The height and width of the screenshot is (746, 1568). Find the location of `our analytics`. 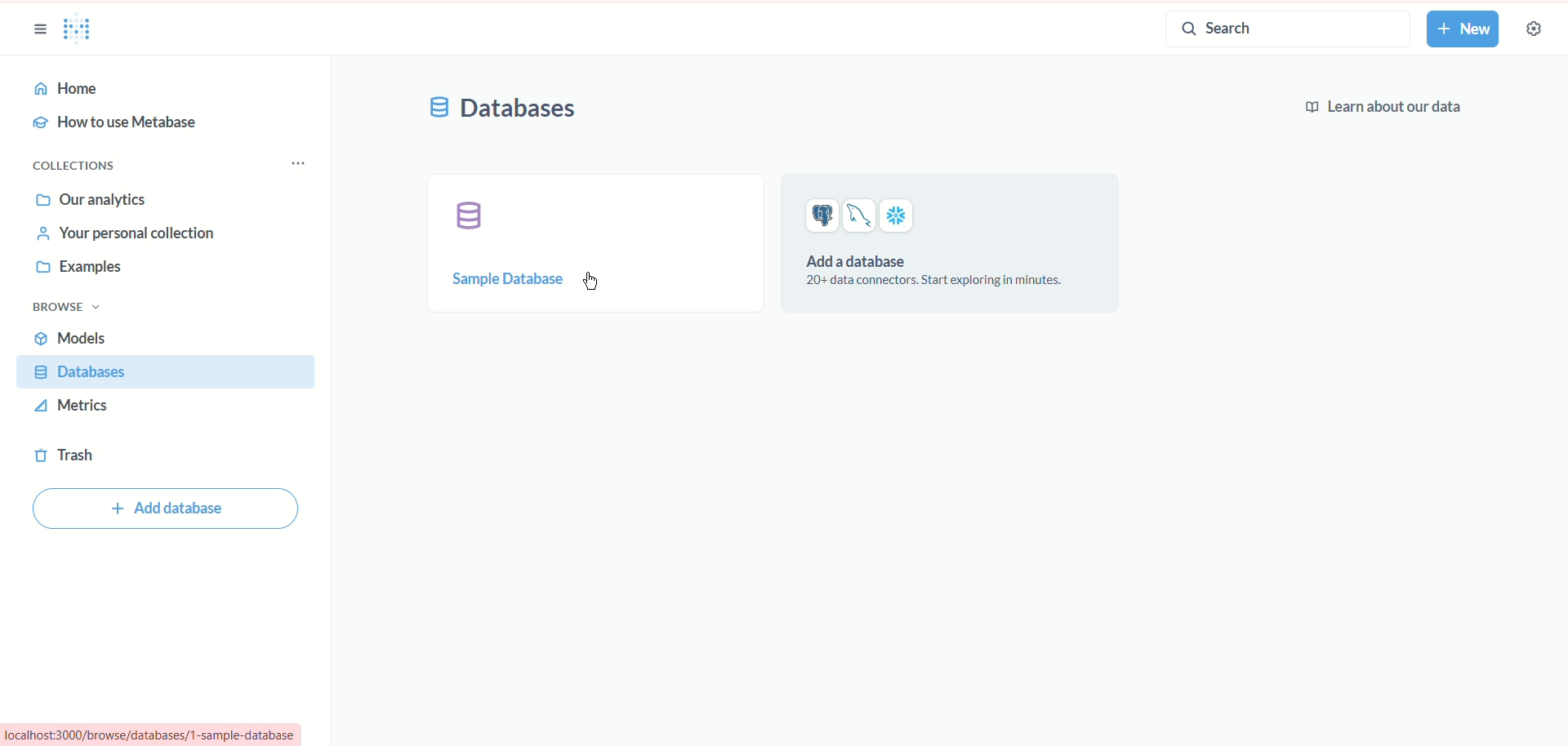

our analytics is located at coordinates (92, 202).